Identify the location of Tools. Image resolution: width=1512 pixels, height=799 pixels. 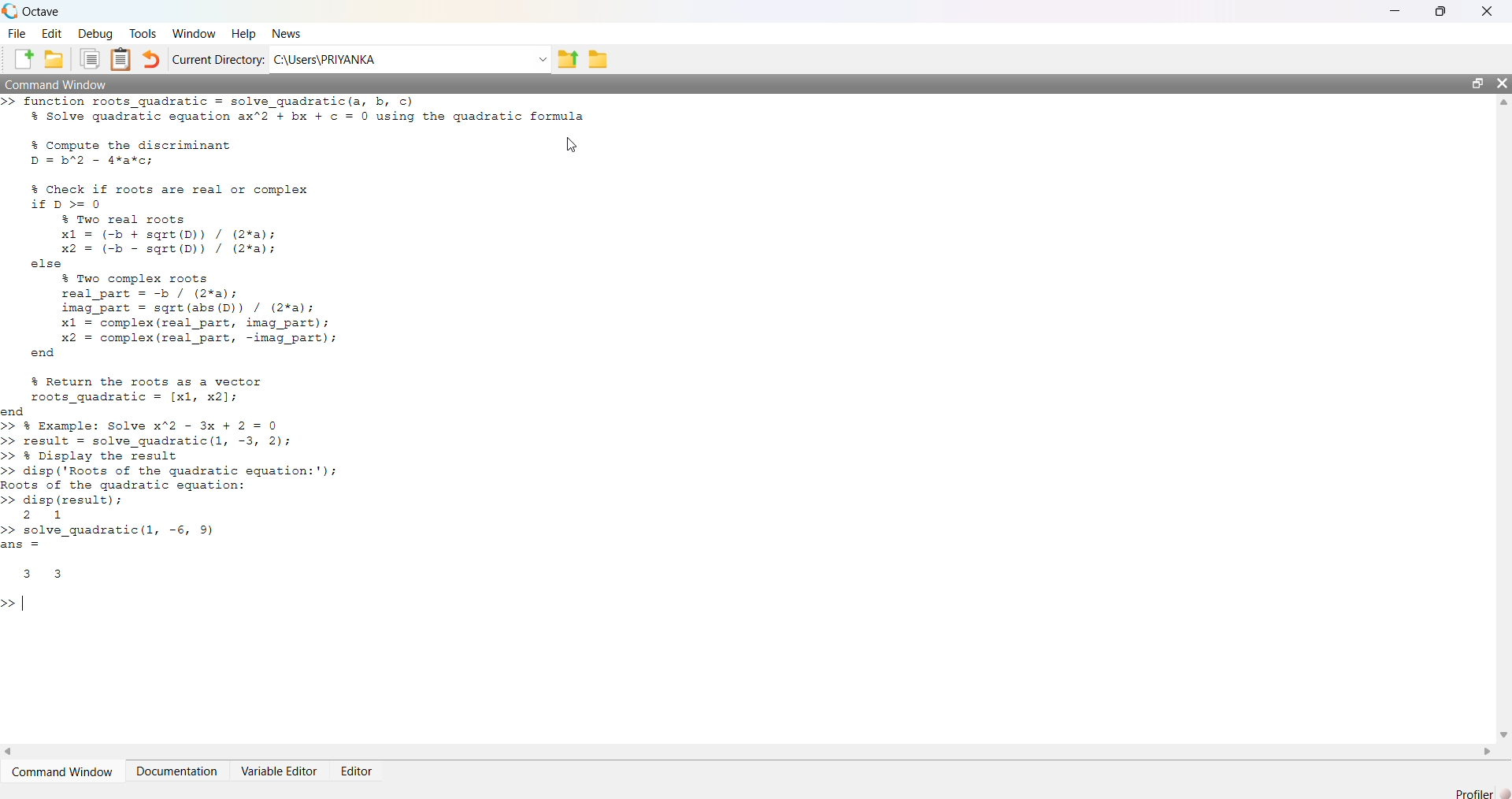
(143, 35).